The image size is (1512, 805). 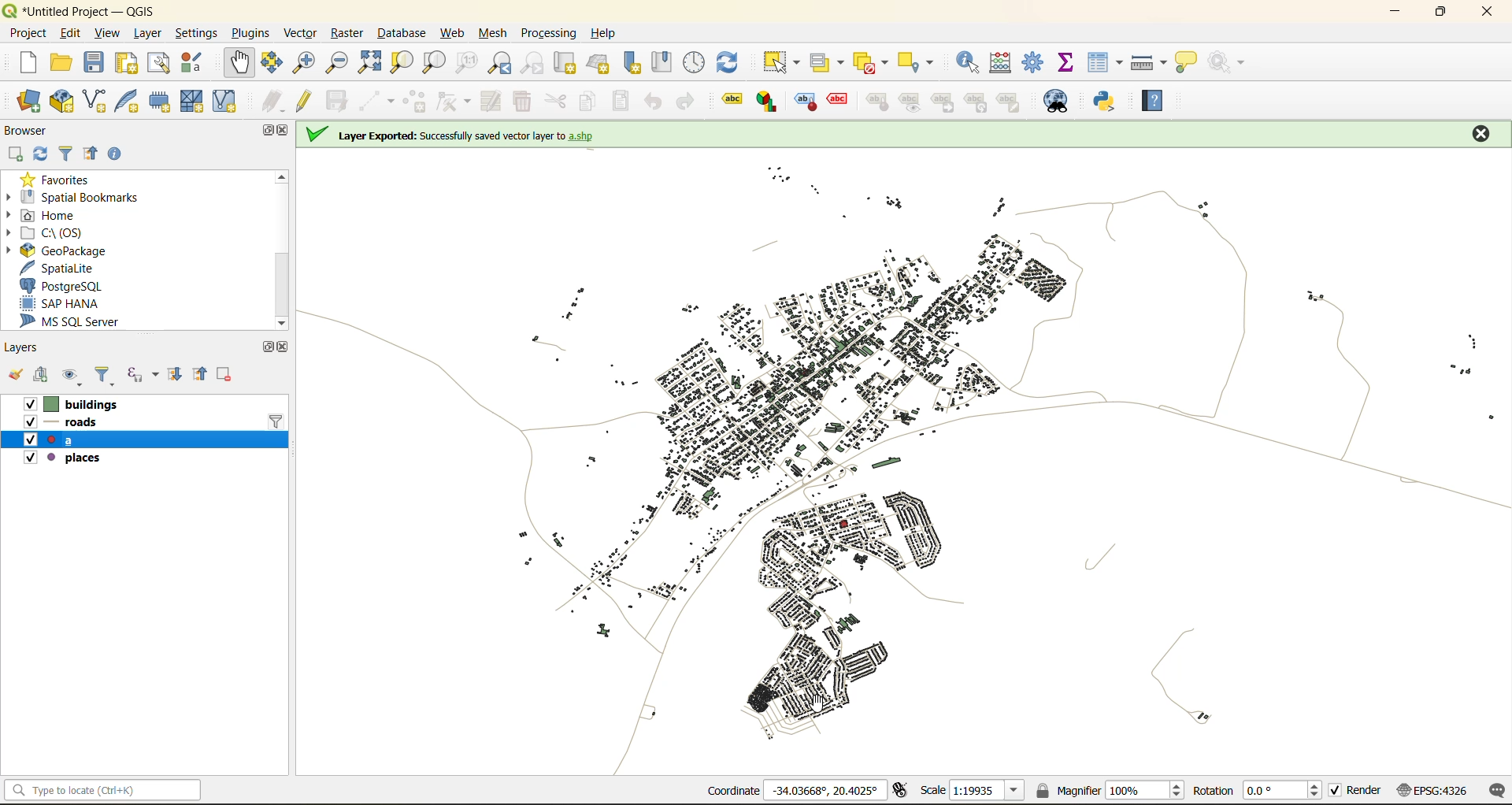 I want to click on map, so click(x=905, y=466).